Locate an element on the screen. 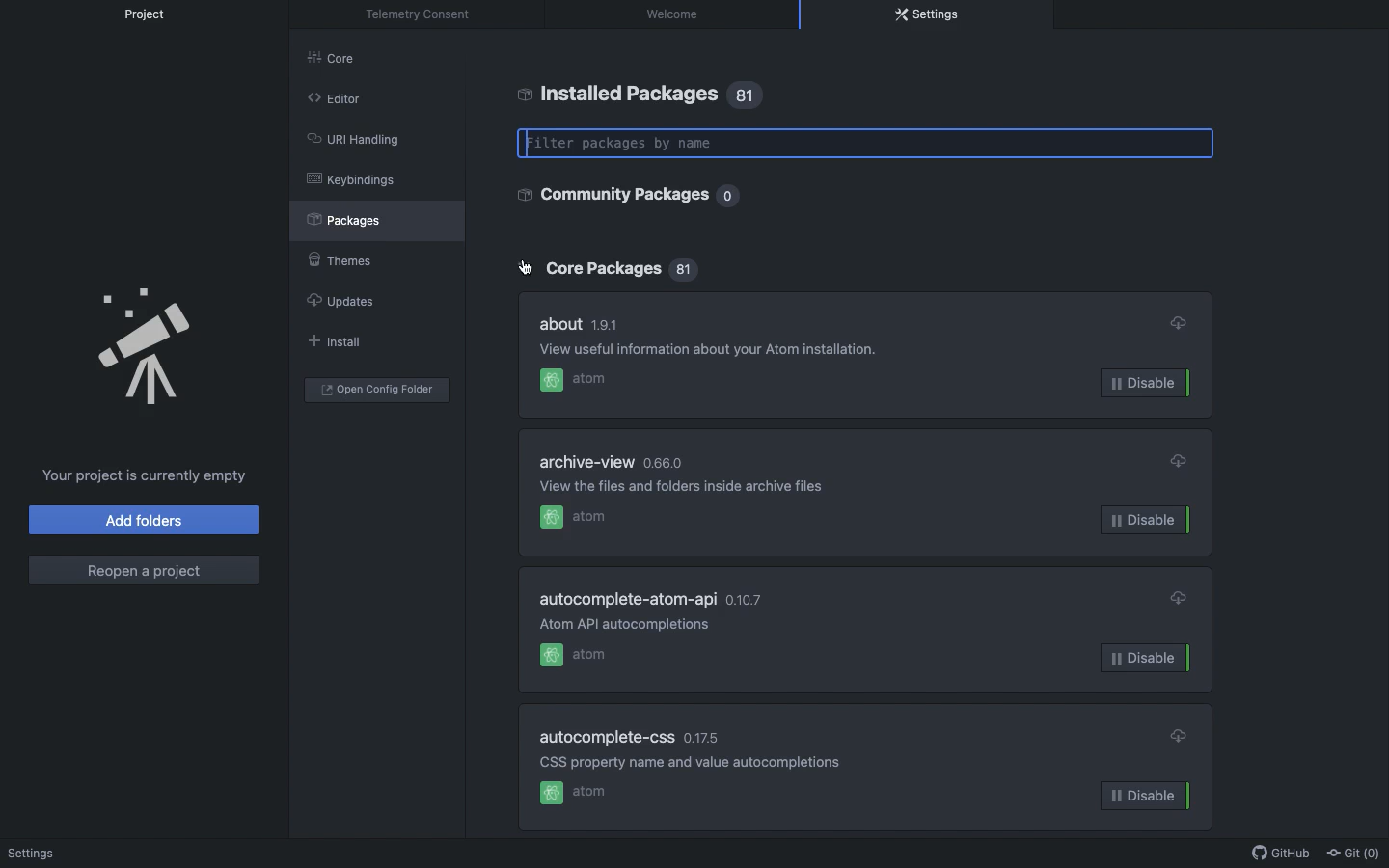  Core packages is located at coordinates (601, 268).